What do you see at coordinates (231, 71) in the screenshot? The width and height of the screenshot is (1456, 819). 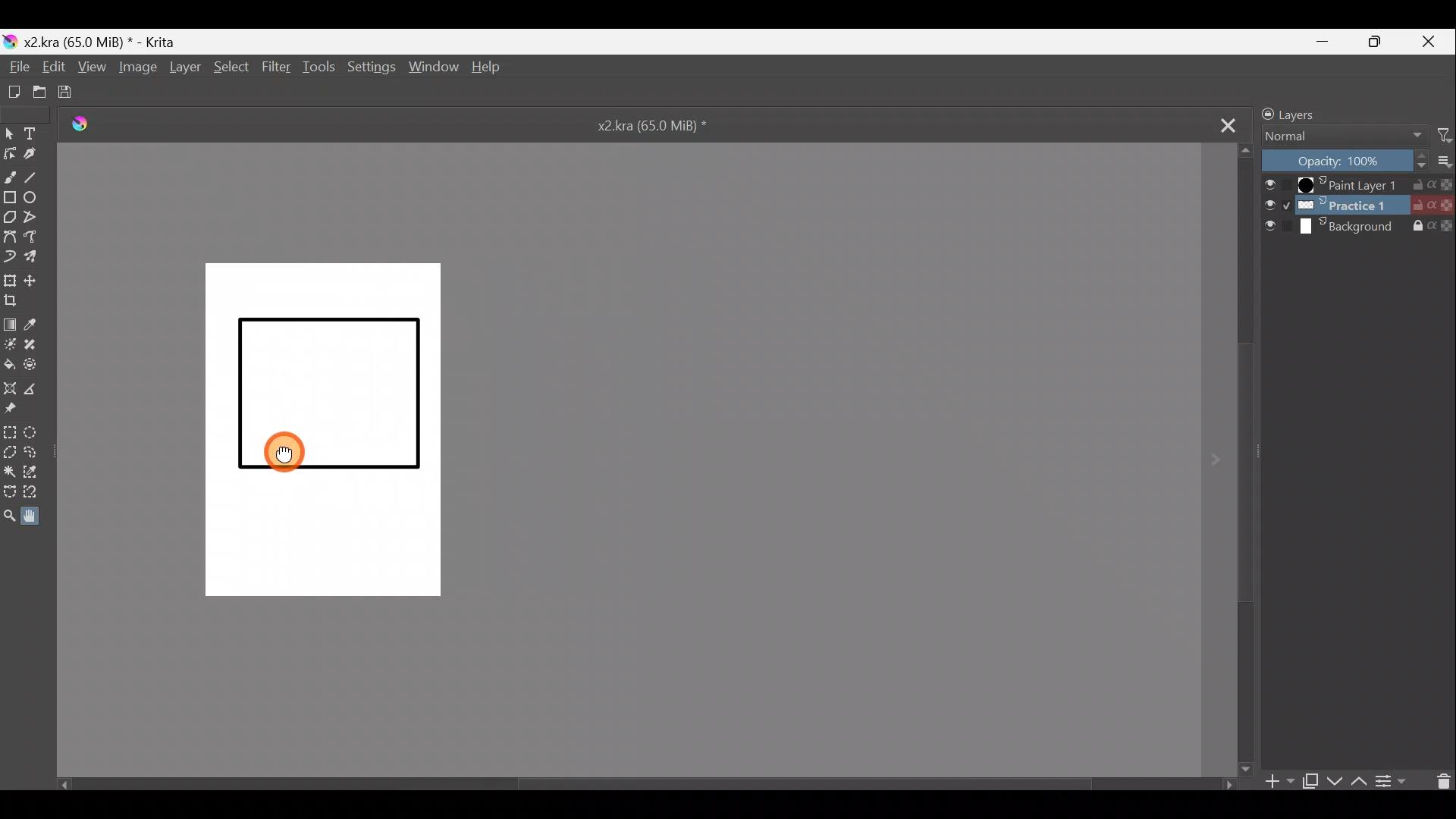 I see `Select` at bounding box center [231, 71].